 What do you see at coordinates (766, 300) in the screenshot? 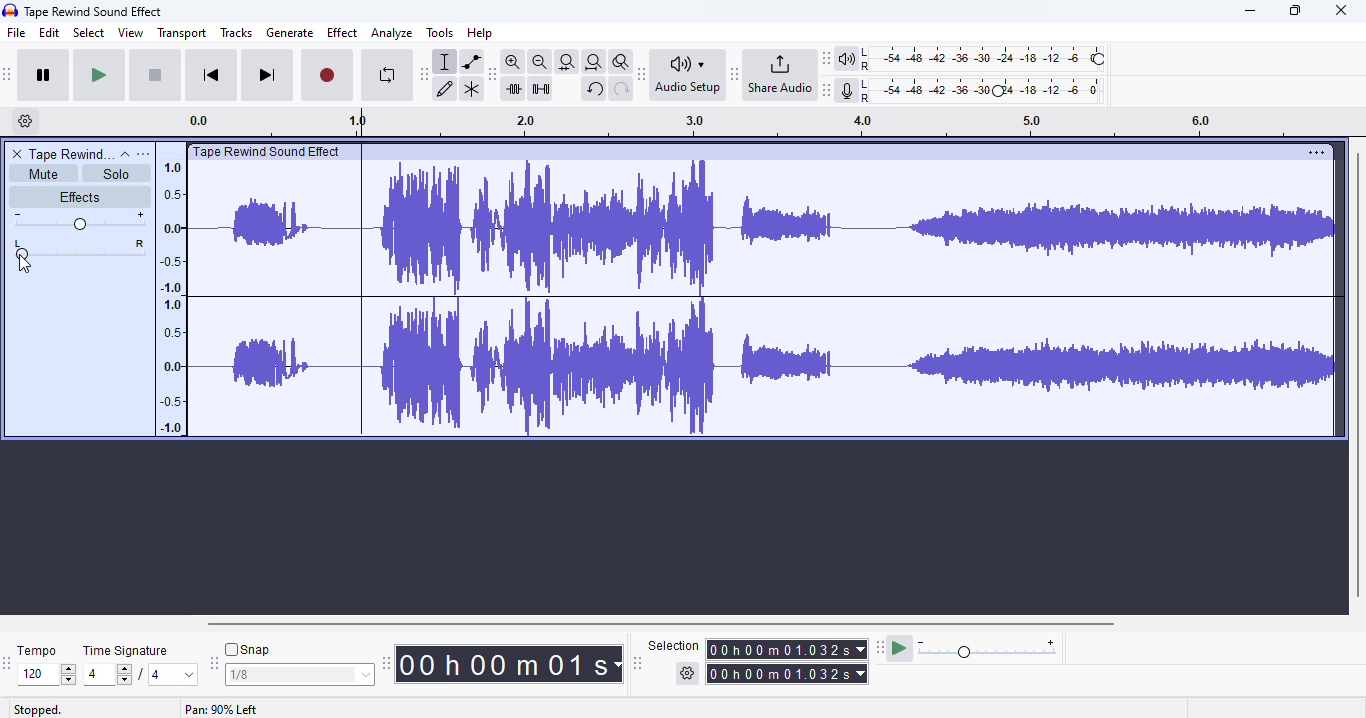
I see `audio selected` at bounding box center [766, 300].